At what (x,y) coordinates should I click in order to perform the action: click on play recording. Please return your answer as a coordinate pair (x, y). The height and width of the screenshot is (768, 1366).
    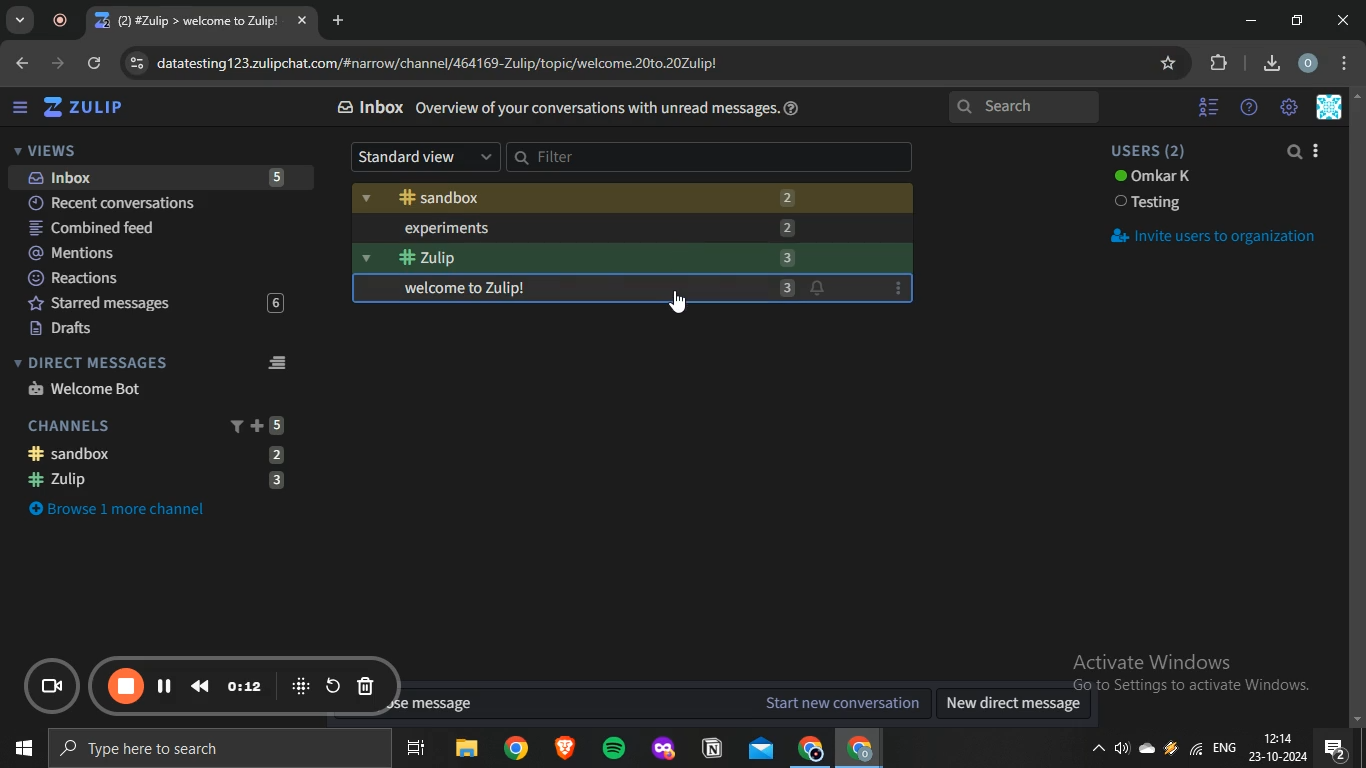
    Looking at the image, I should click on (165, 685).